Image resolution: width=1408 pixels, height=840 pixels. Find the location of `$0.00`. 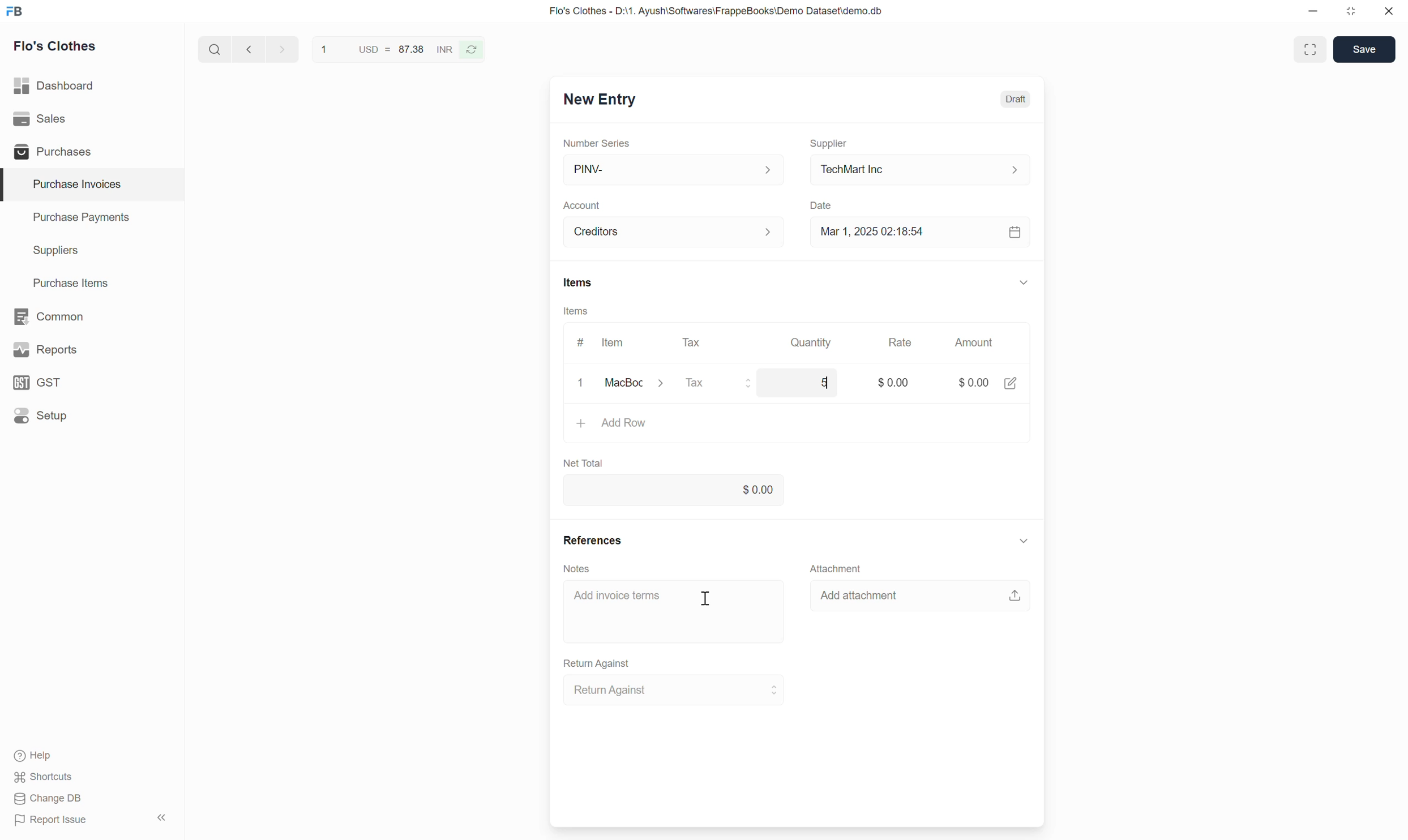

$0.00 is located at coordinates (988, 379).